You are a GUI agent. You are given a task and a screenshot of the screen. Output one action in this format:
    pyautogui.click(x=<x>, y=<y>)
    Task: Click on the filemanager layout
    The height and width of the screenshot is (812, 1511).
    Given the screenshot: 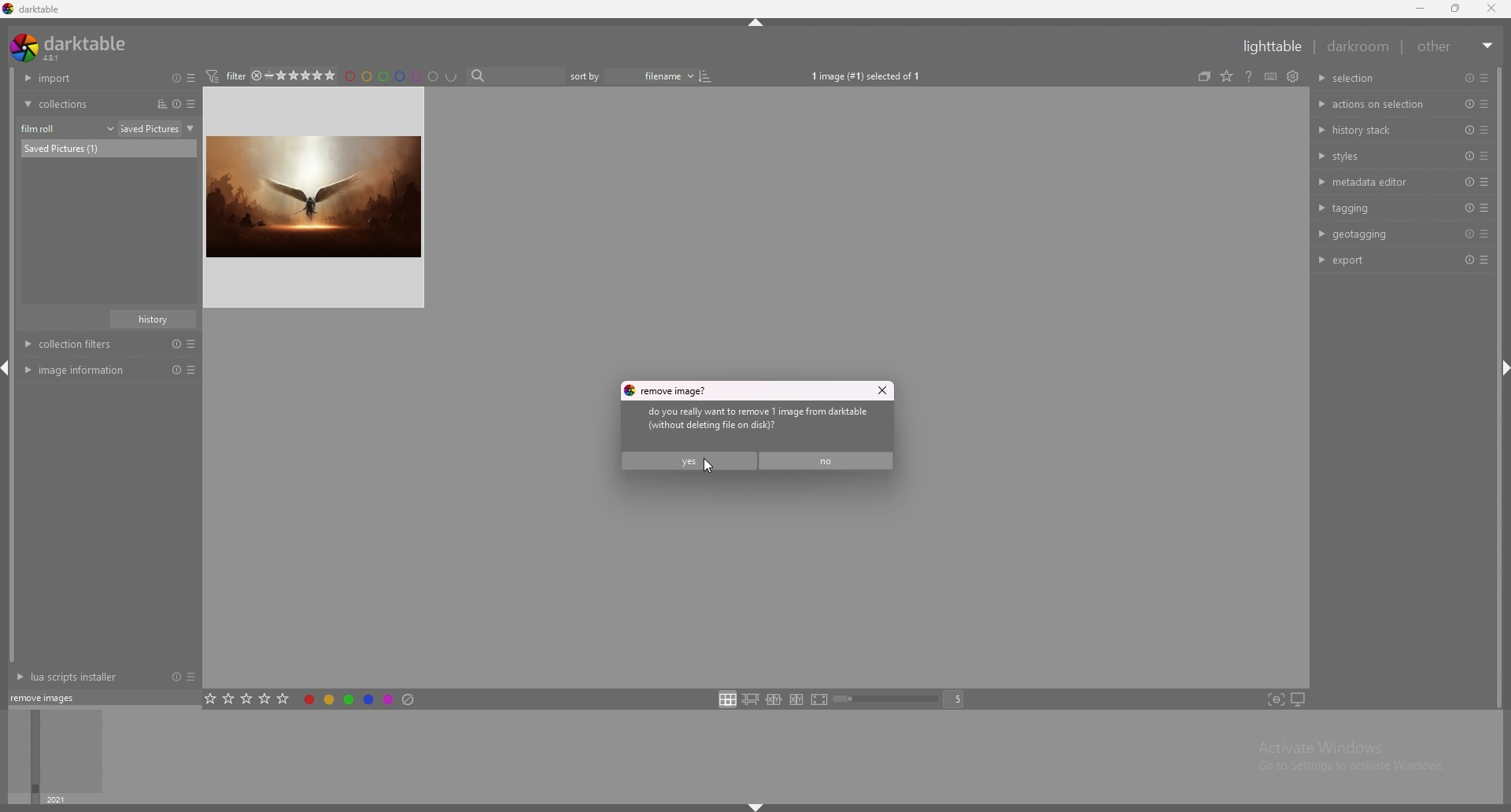 What is the action you would take?
    pyautogui.click(x=727, y=699)
    